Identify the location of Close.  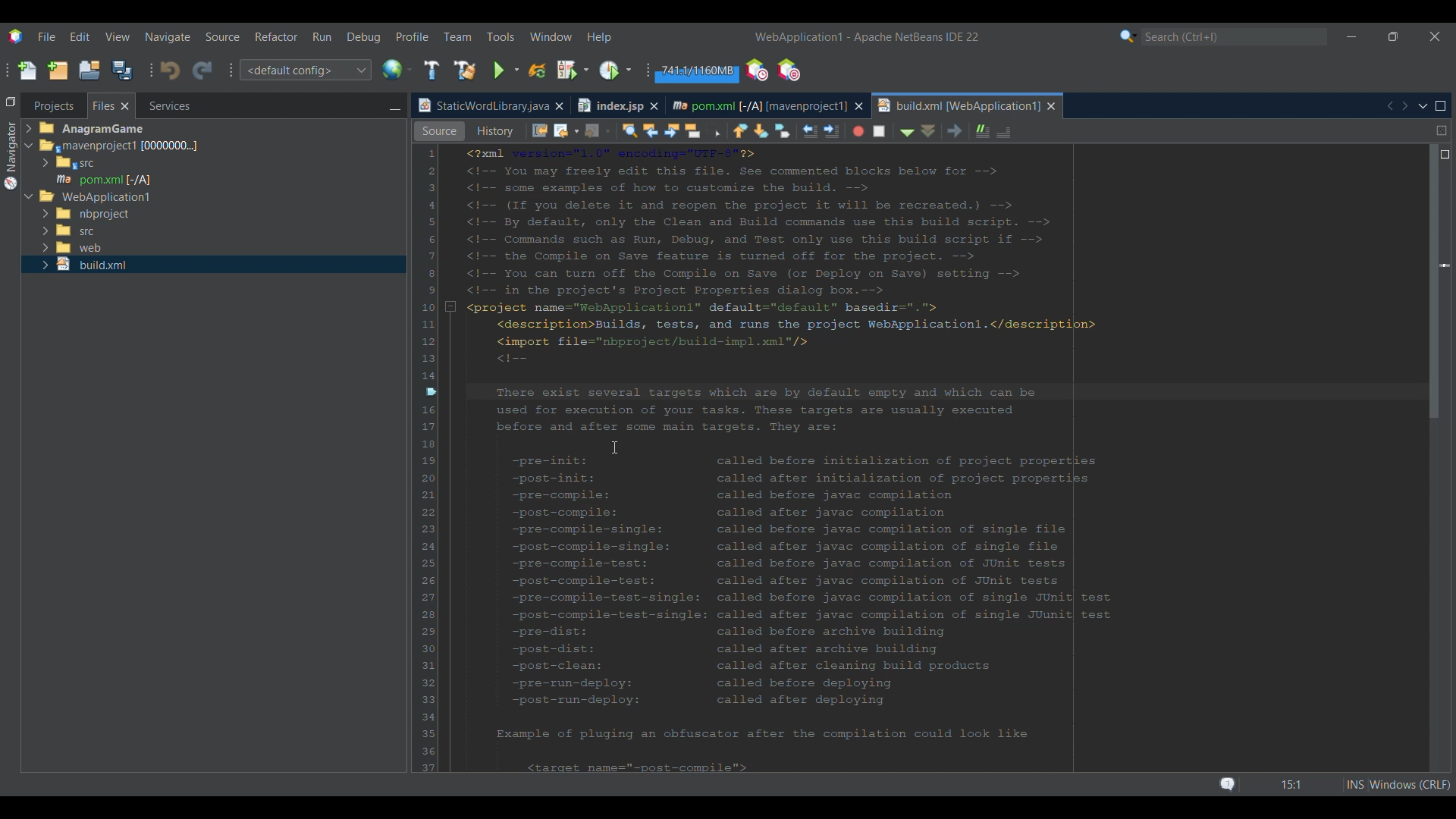
(1052, 106).